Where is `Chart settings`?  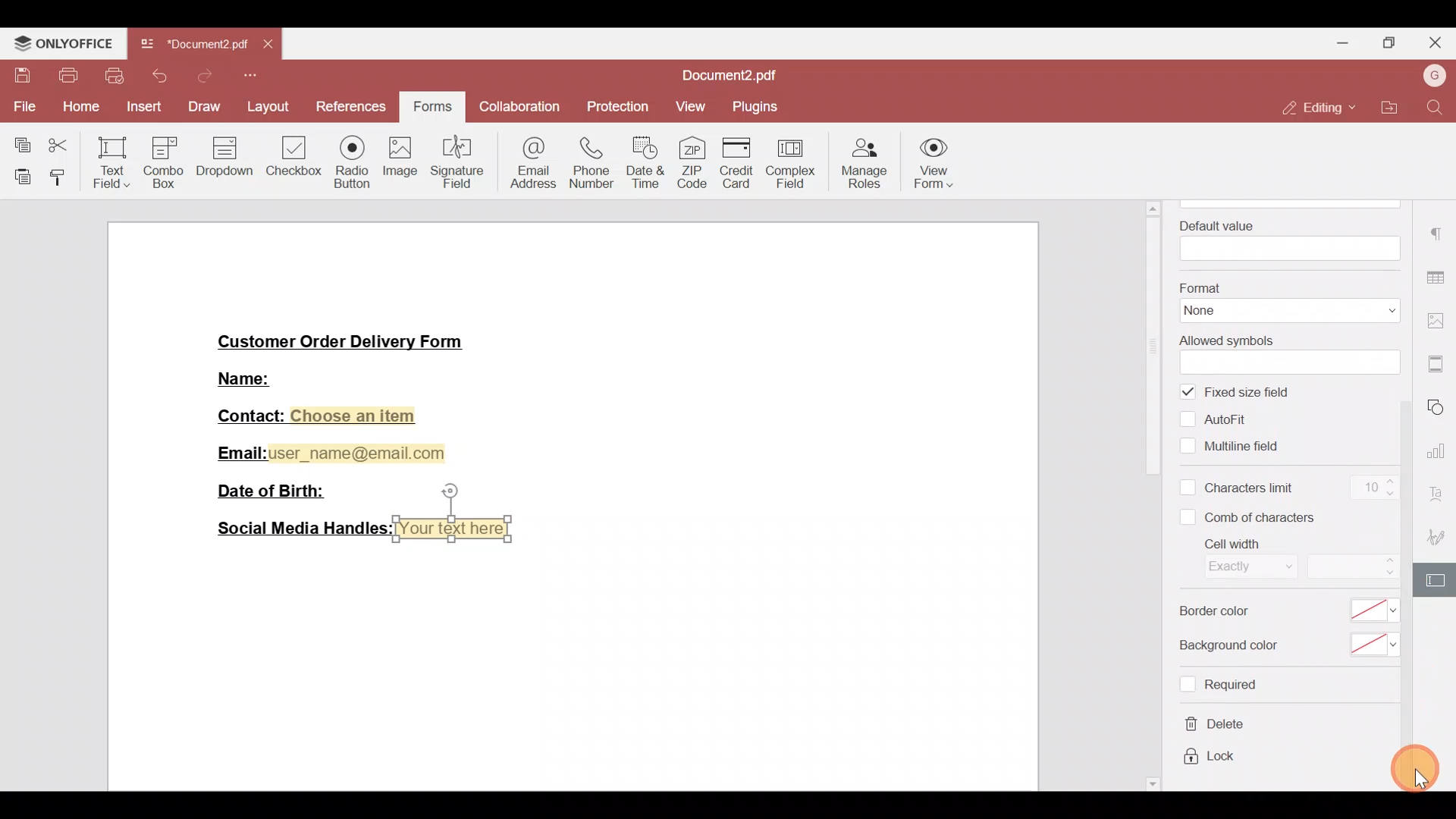
Chart settings is located at coordinates (1439, 451).